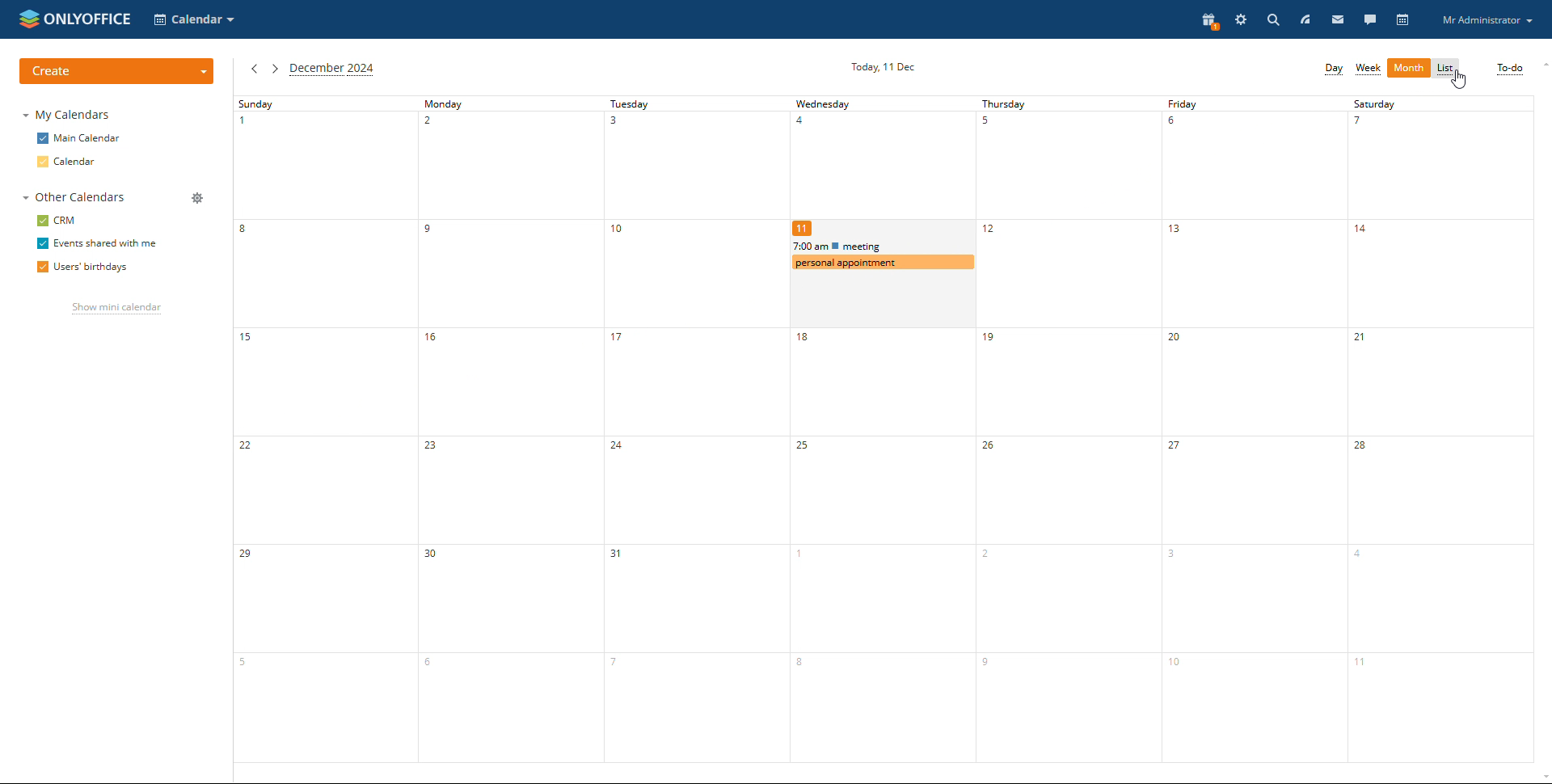  I want to click on , so click(1242, 19).